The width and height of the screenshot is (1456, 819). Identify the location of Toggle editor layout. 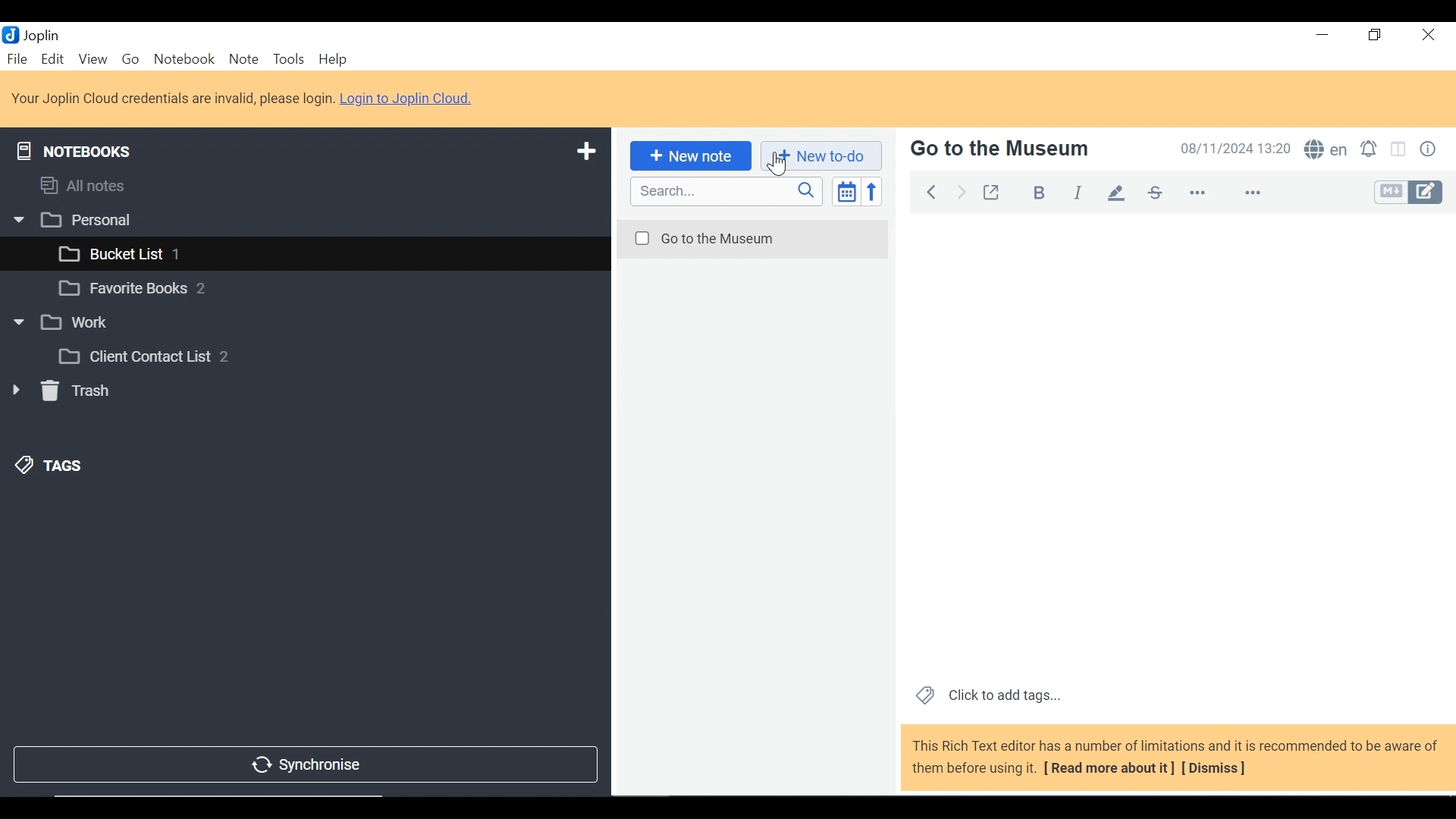
(1400, 149).